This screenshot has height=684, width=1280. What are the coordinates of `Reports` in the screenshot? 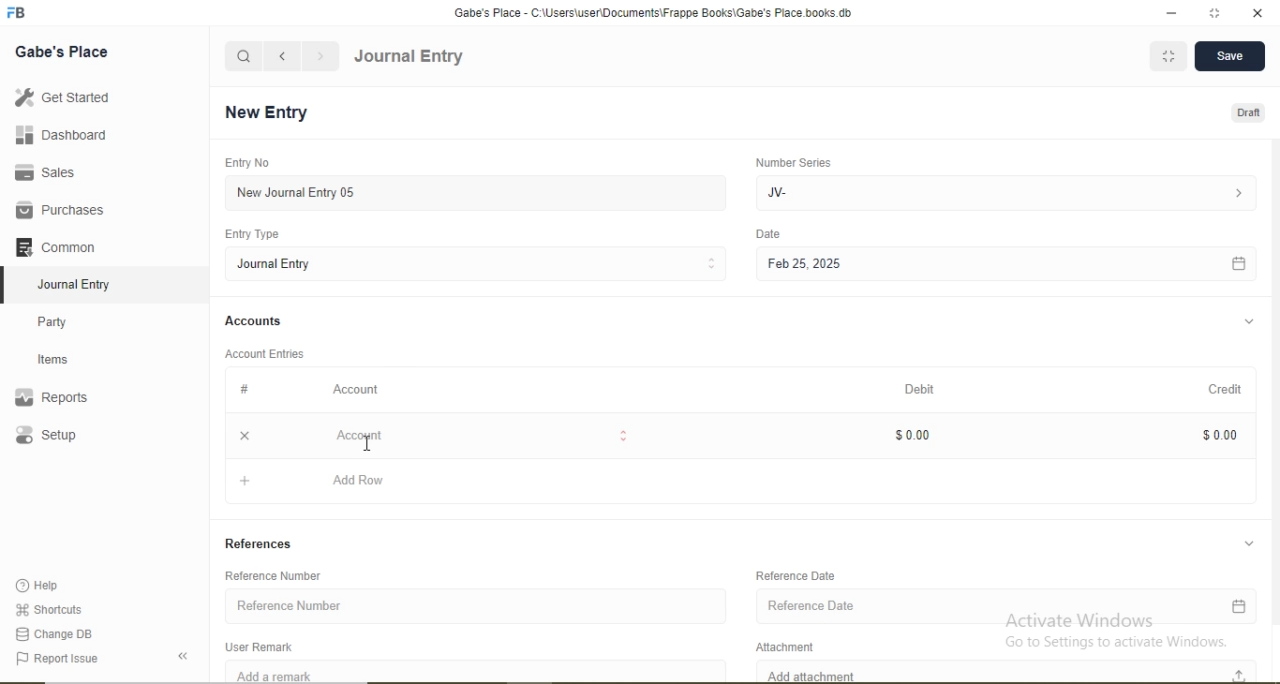 It's located at (61, 398).